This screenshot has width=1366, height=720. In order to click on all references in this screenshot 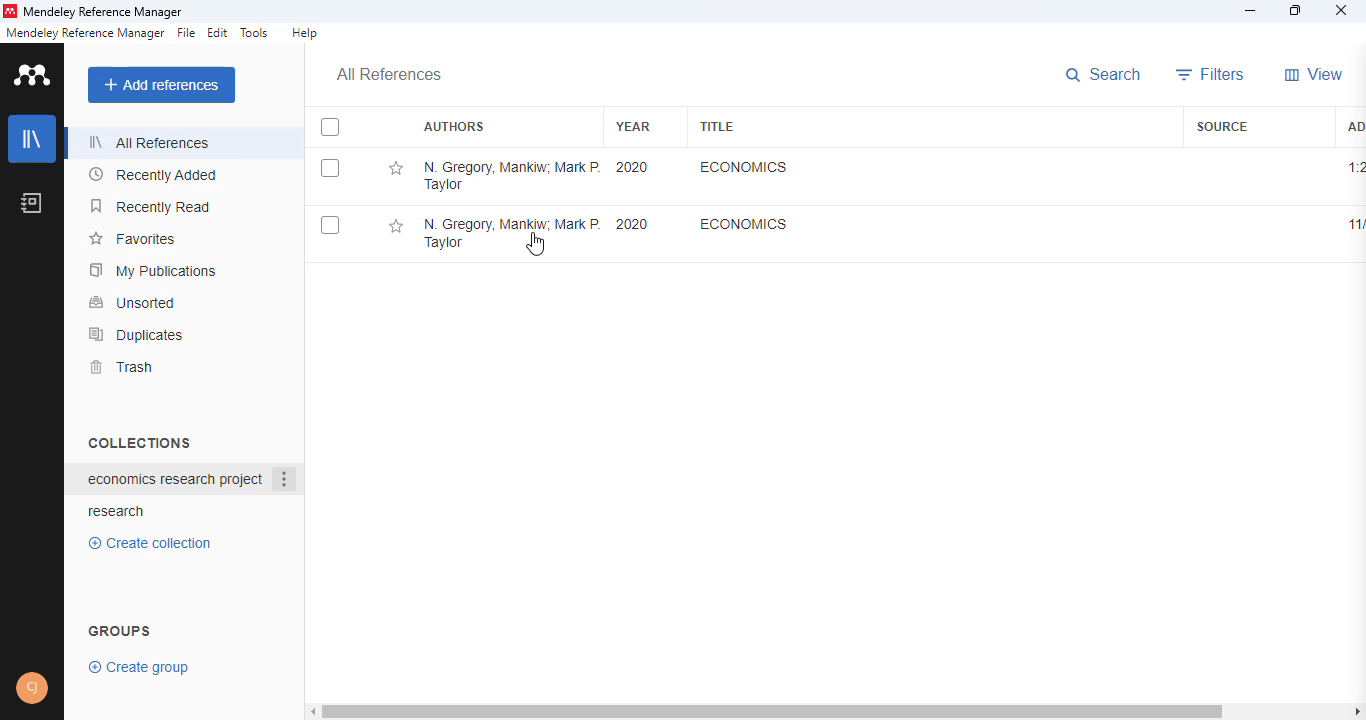, I will do `click(149, 142)`.